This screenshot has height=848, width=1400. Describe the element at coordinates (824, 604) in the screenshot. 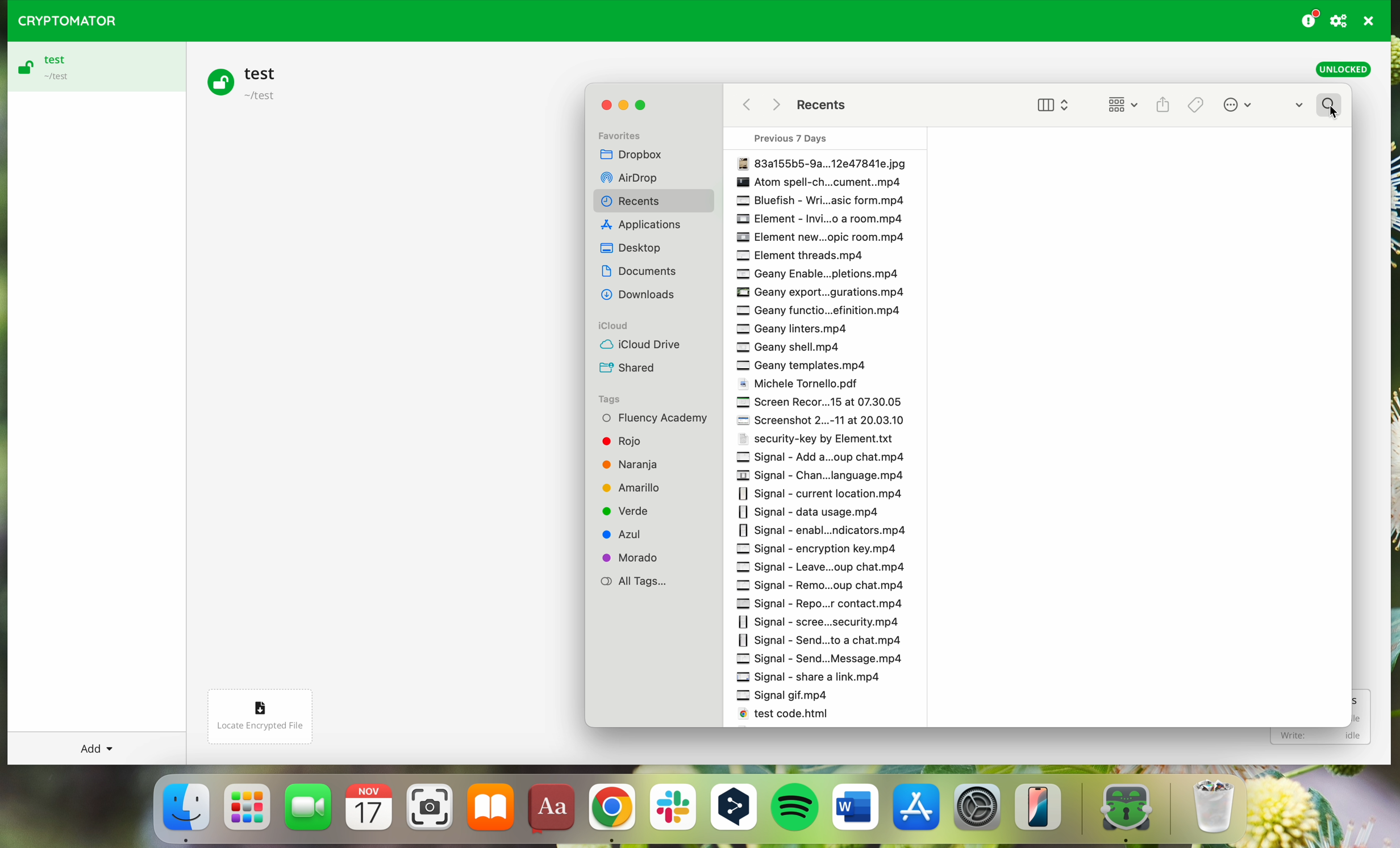

I see `Signal Repo` at that location.